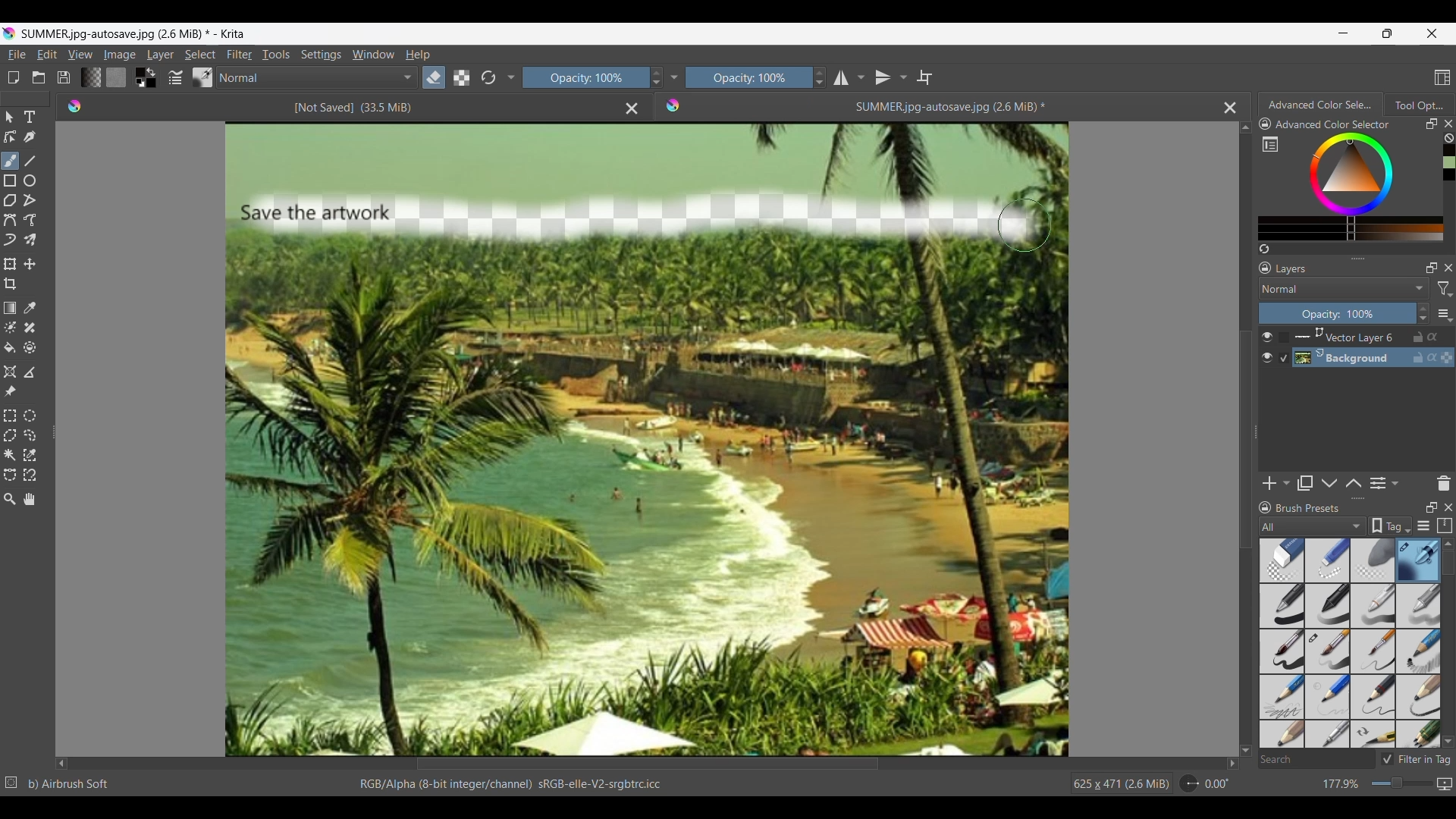 This screenshot has height=819, width=1456. I want to click on Layer mode options, so click(1344, 288).